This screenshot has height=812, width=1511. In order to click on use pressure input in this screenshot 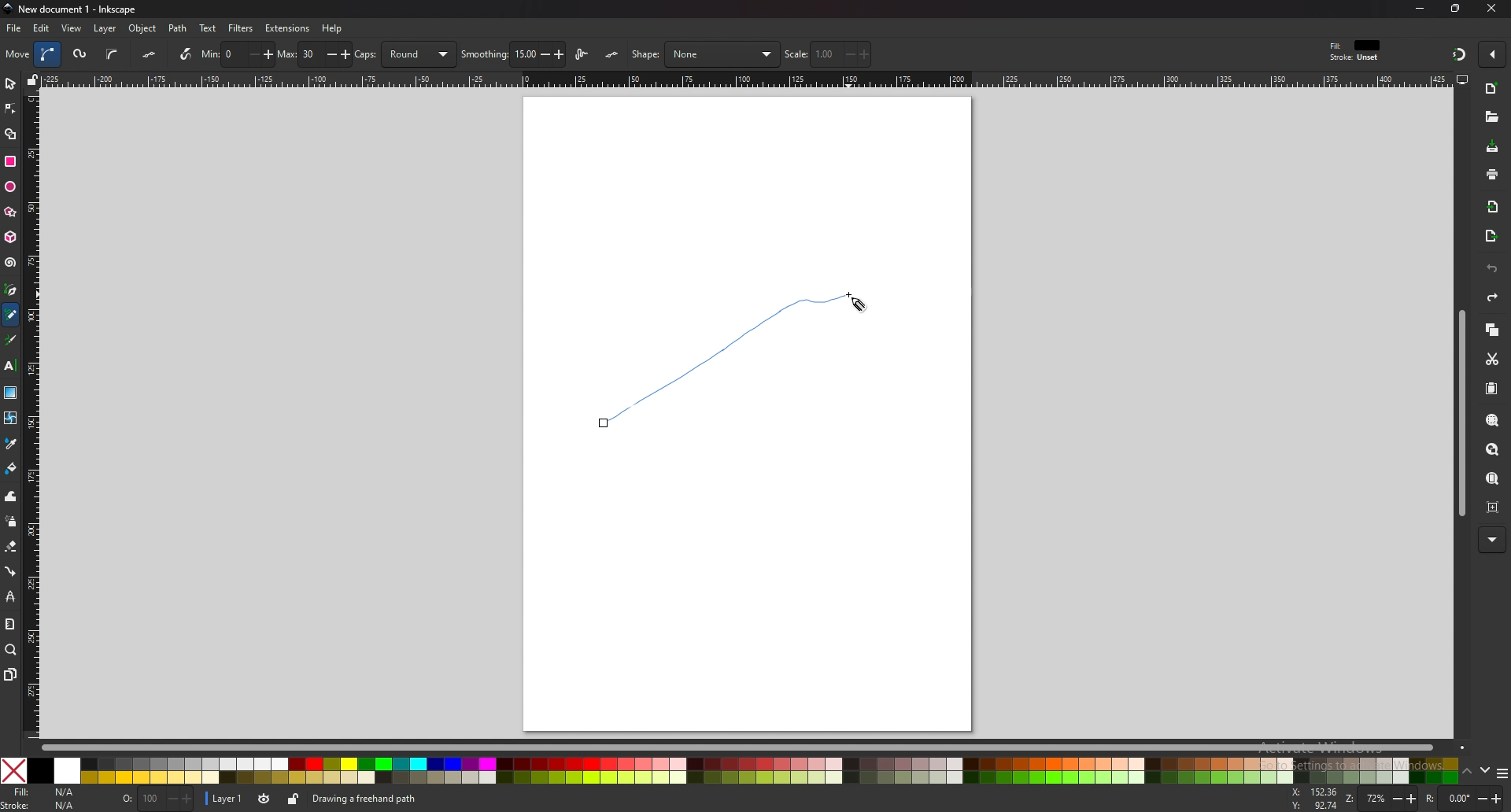, I will do `click(181, 54)`.